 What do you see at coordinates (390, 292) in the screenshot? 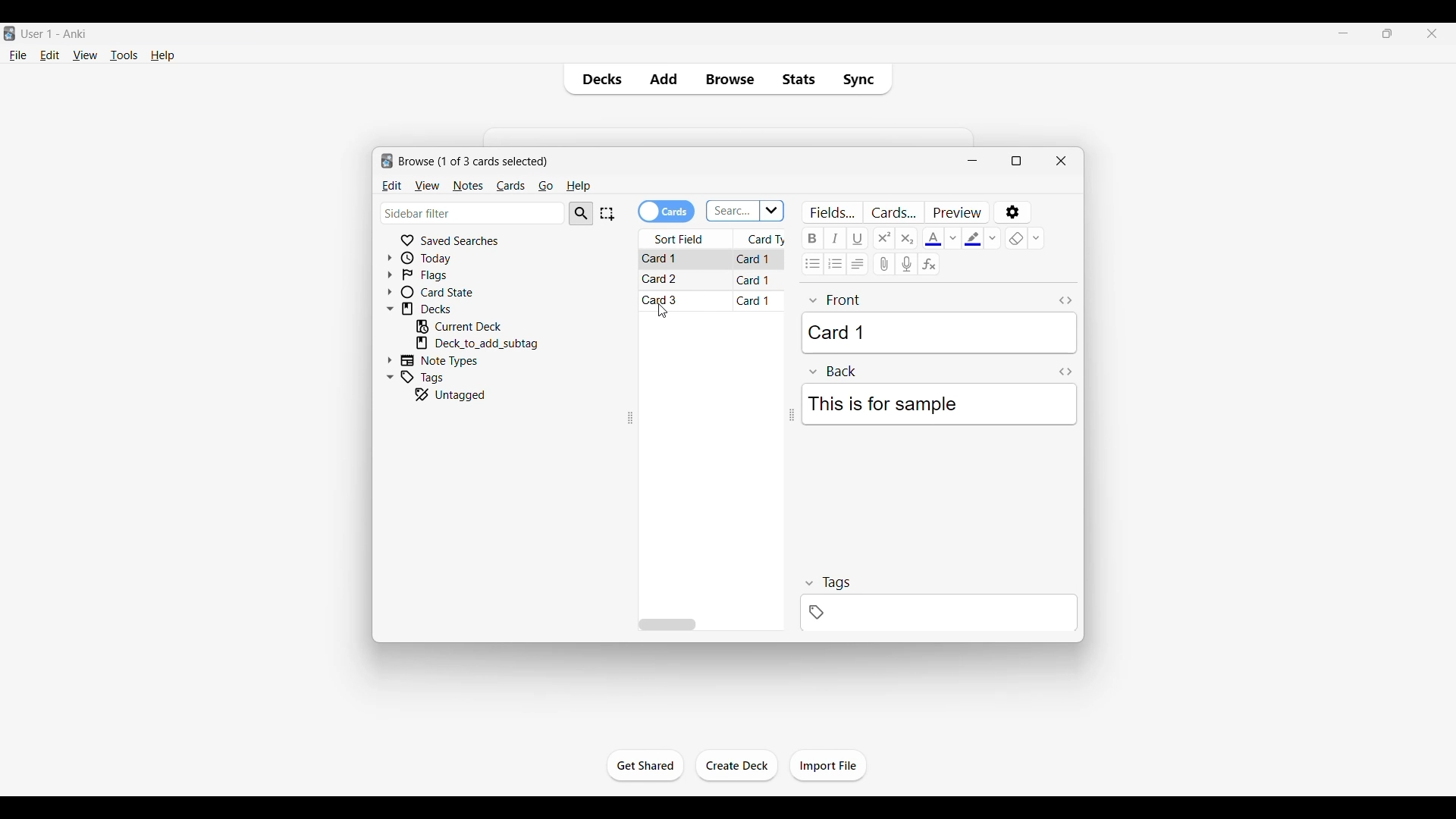
I see `Click to expand card state` at bounding box center [390, 292].